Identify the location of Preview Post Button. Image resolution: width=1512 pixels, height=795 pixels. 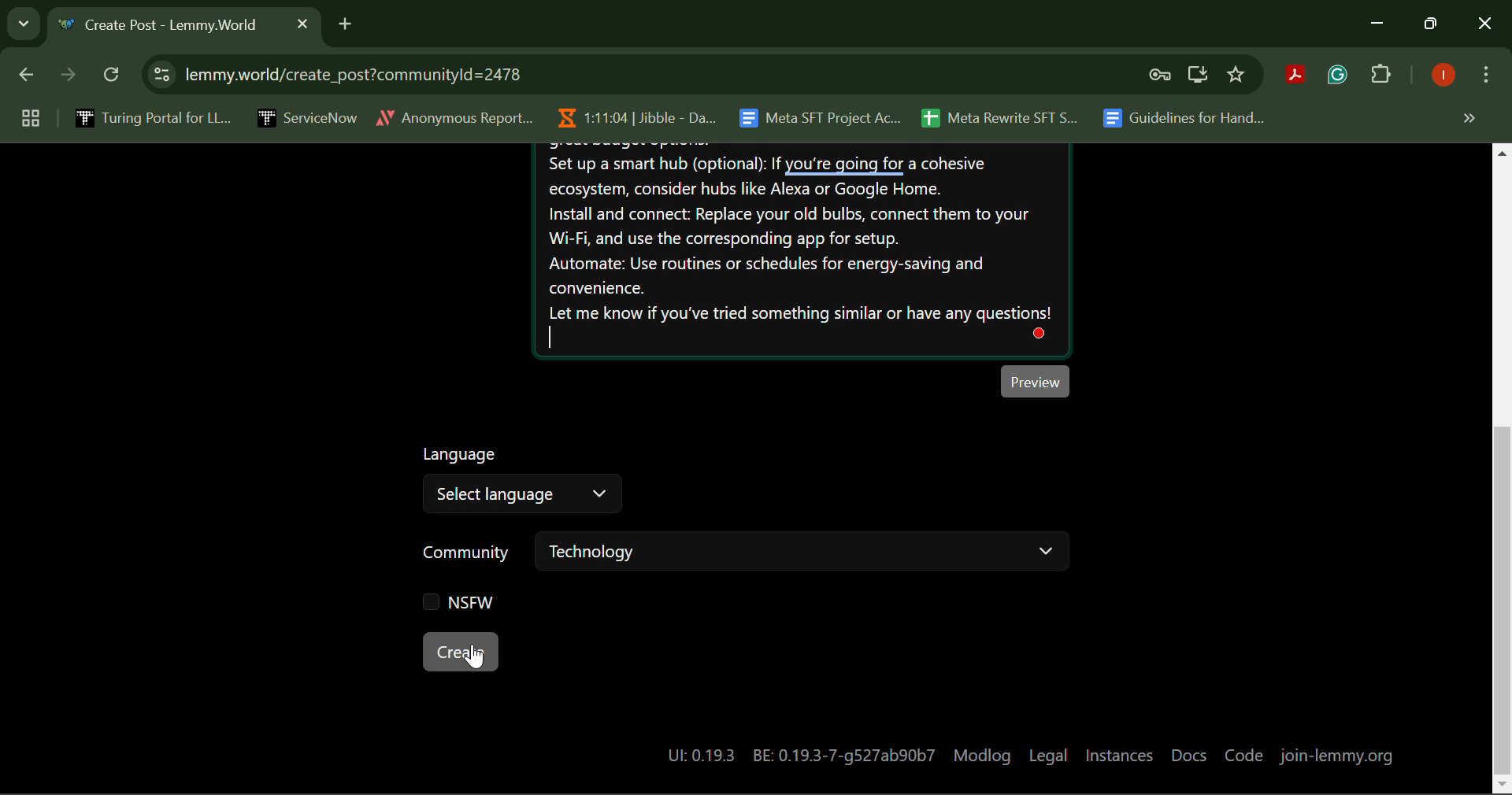
(1036, 383).